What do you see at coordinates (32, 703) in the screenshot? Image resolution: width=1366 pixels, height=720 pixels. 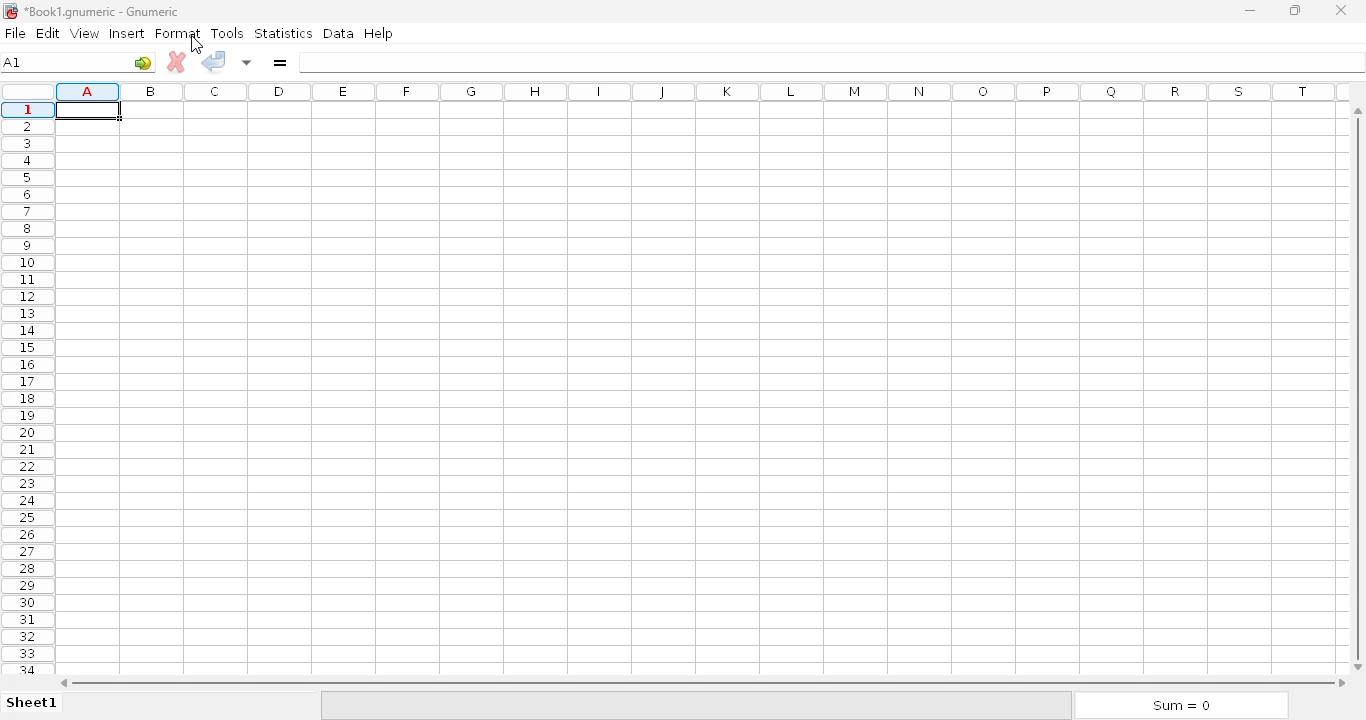 I see `sheet1` at bounding box center [32, 703].